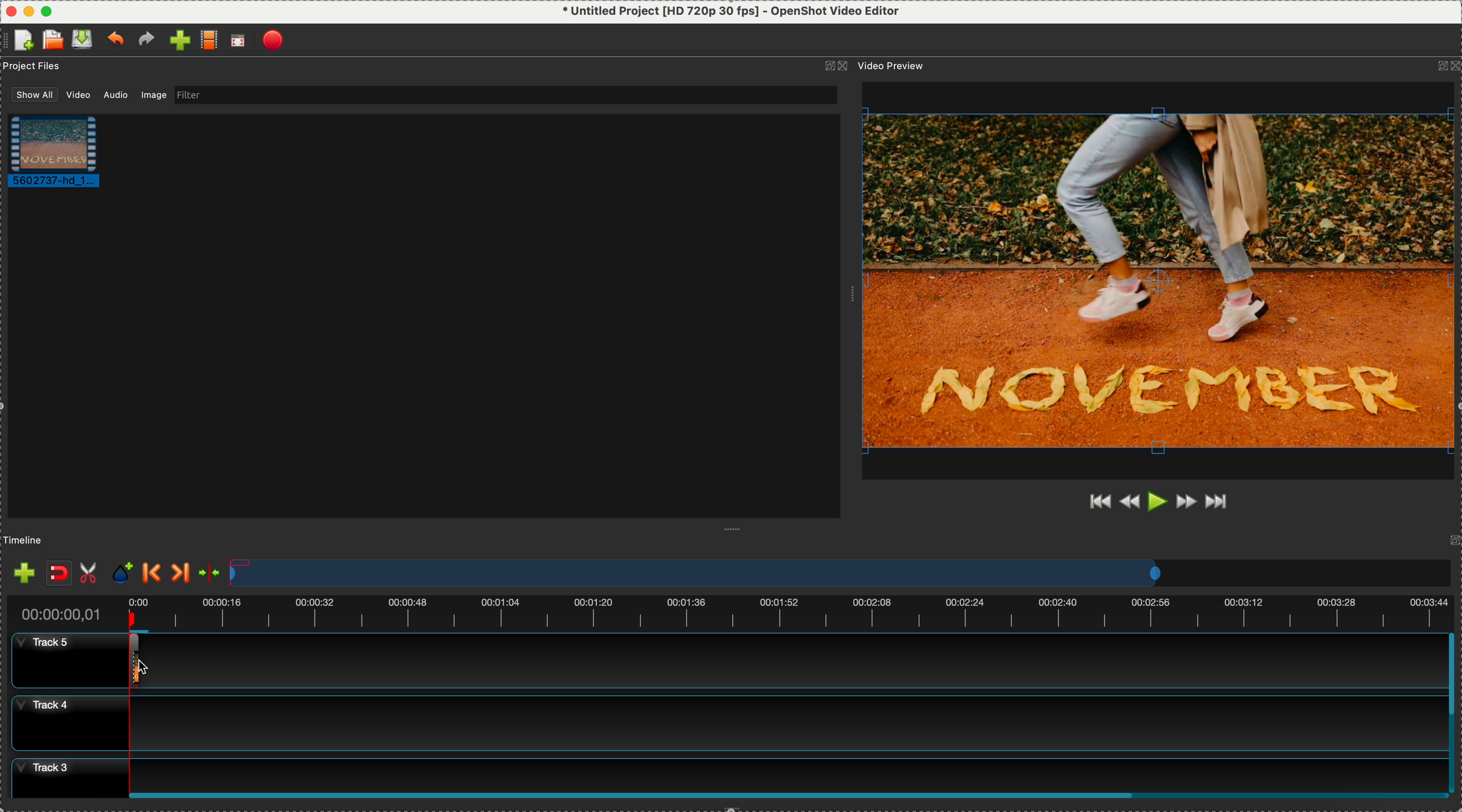 This screenshot has height=812, width=1462. I want to click on * Untitled Project [HD 720p 30 fps] - OpenShot Video Editor, so click(732, 11).